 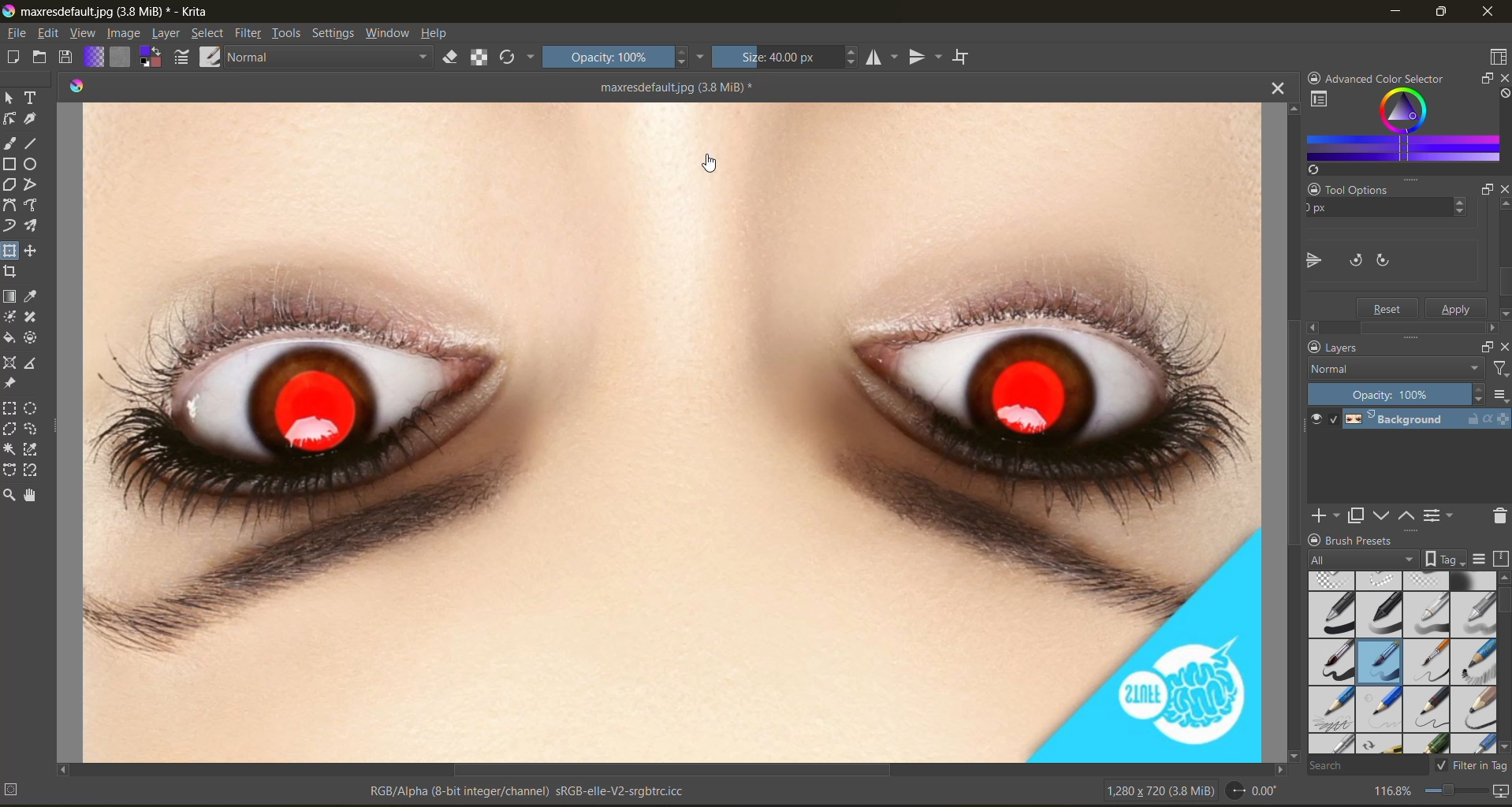 What do you see at coordinates (166, 33) in the screenshot?
I see `layer` at bounding box center [166, 33].